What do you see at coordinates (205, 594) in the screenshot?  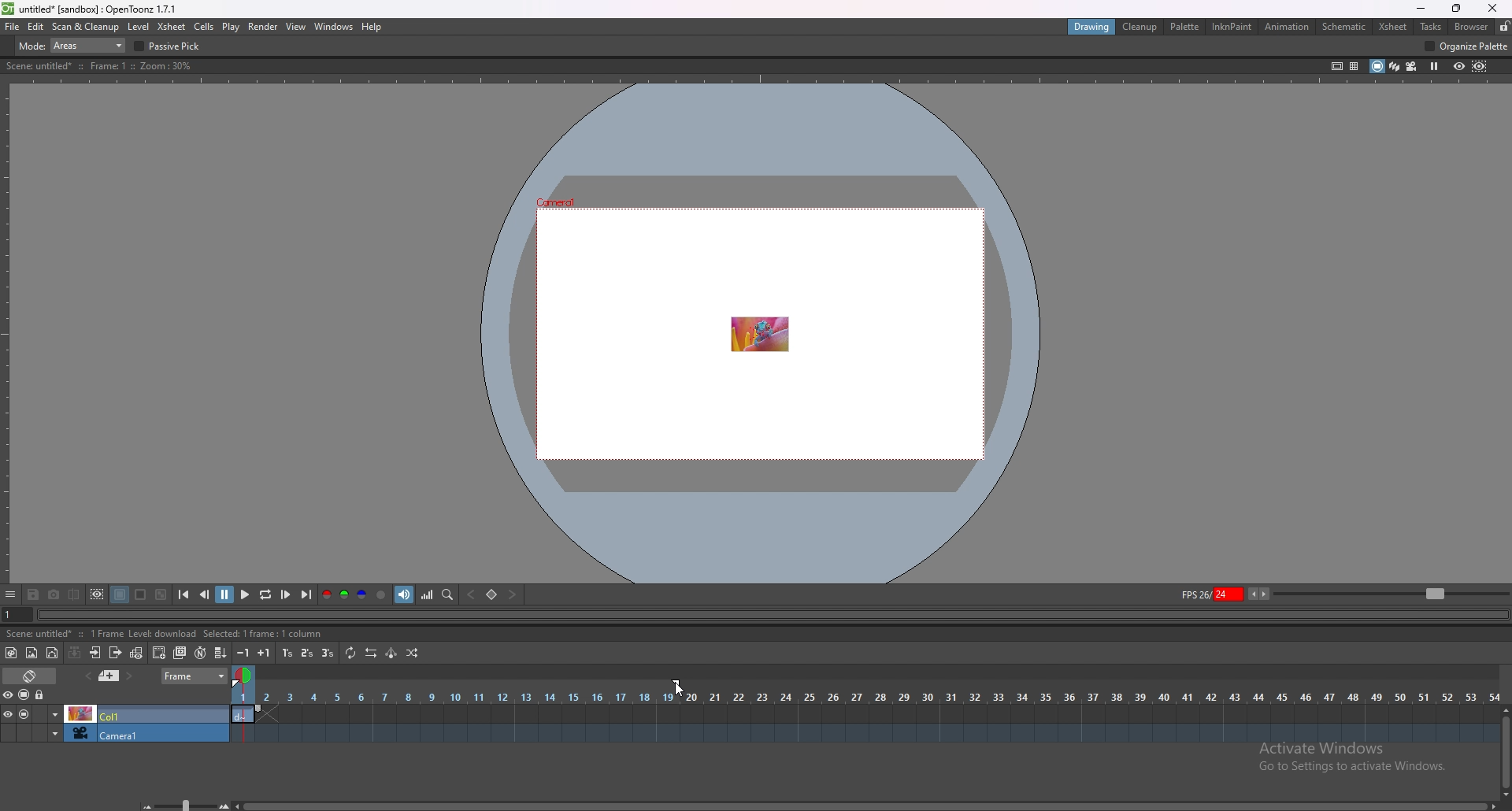 I see `previous` at bounding box center [205, 594].